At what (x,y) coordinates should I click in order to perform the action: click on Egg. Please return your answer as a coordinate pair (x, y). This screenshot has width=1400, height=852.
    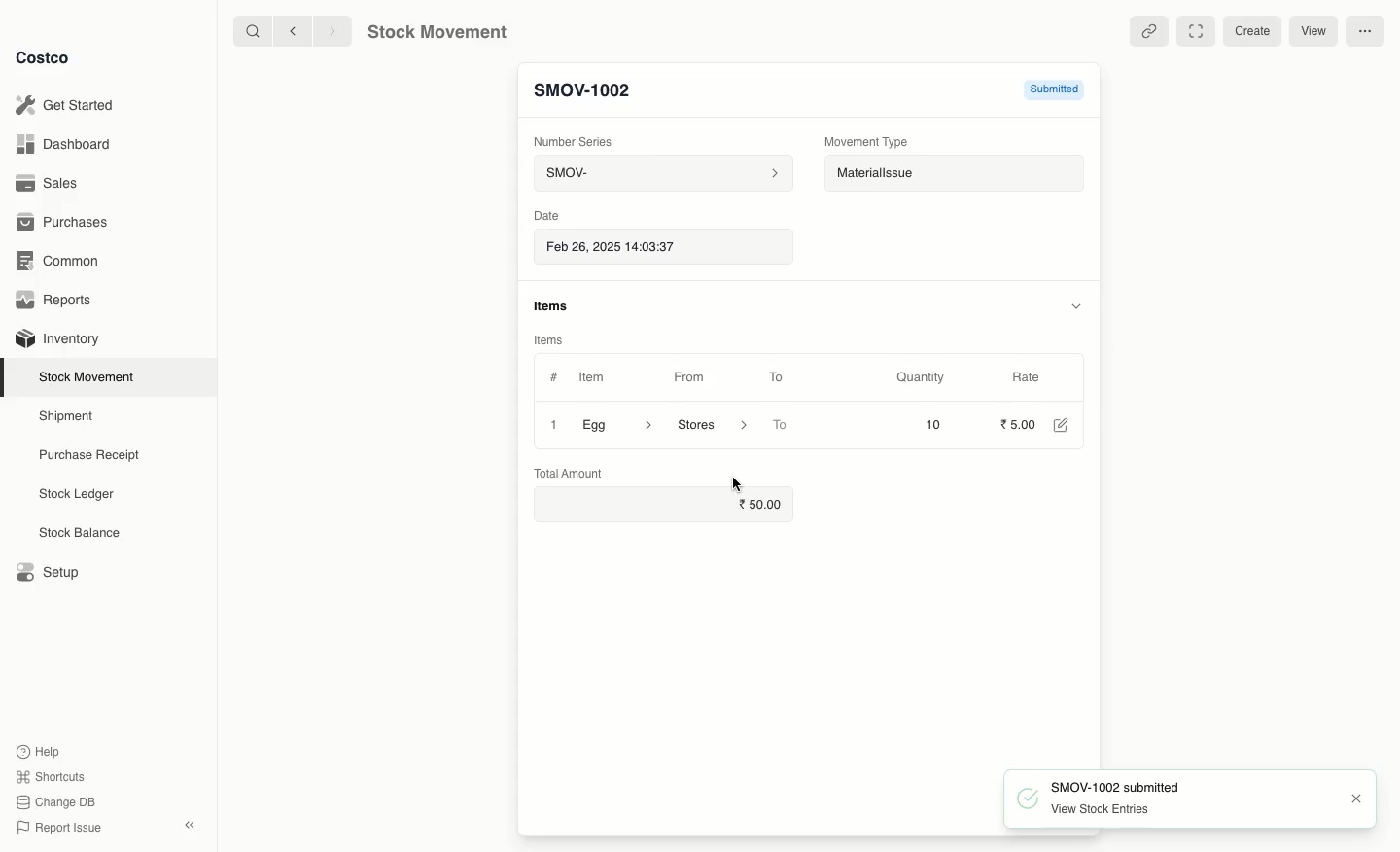
    Looking at the image, I should click on (617, 424).